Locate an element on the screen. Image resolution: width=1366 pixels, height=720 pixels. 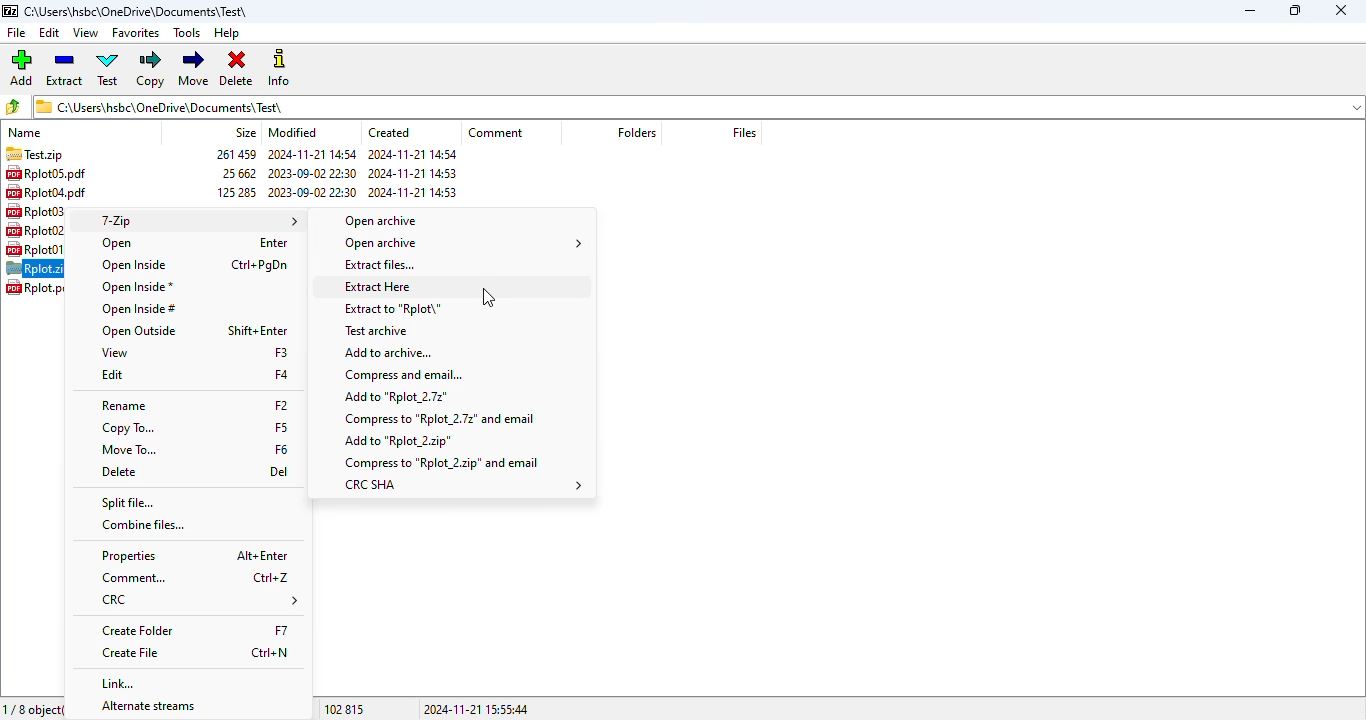
logo is located at coordinates (11, 11).